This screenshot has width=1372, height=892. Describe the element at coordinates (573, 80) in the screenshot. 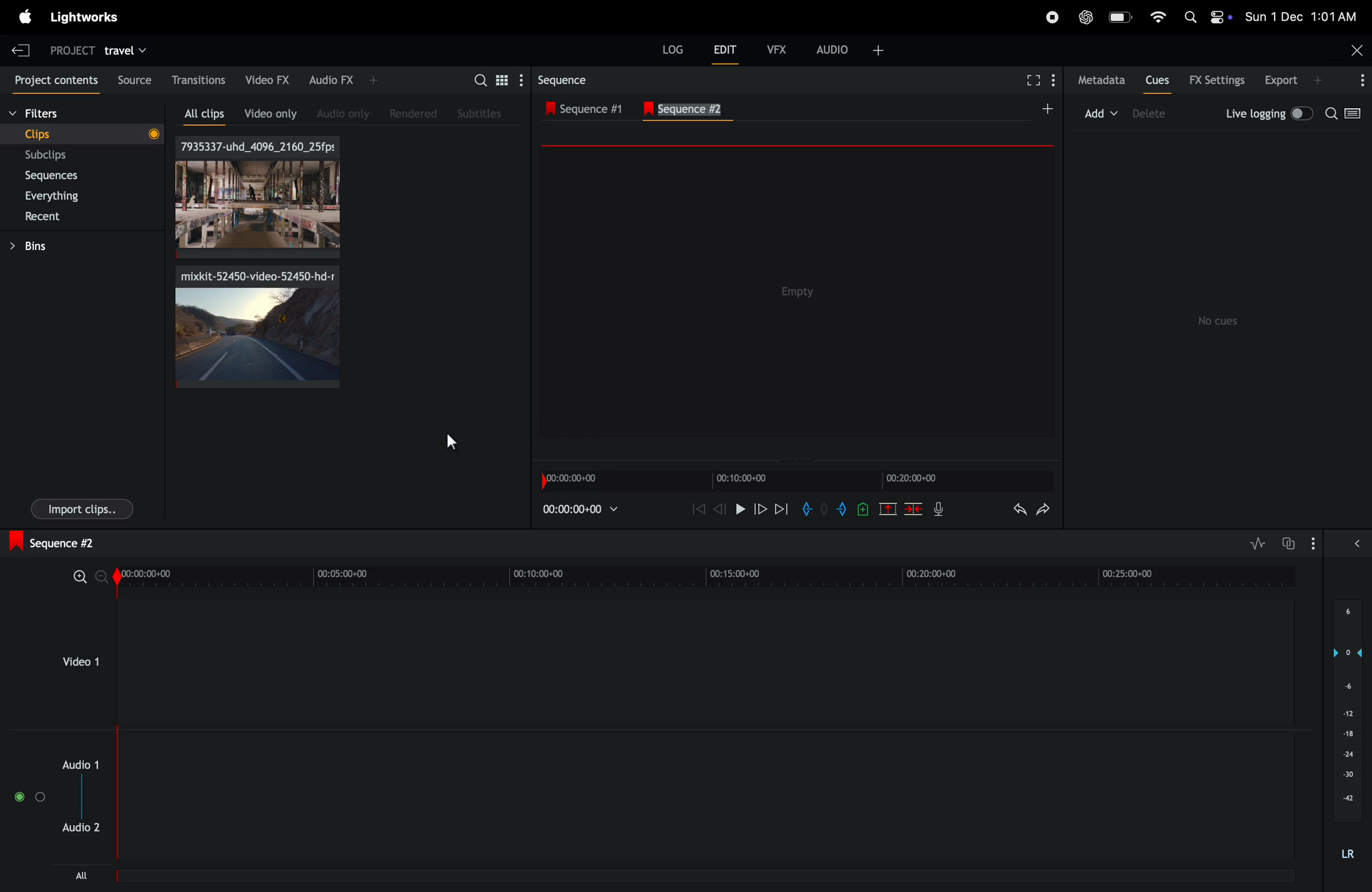

I see `sequence` at that location.